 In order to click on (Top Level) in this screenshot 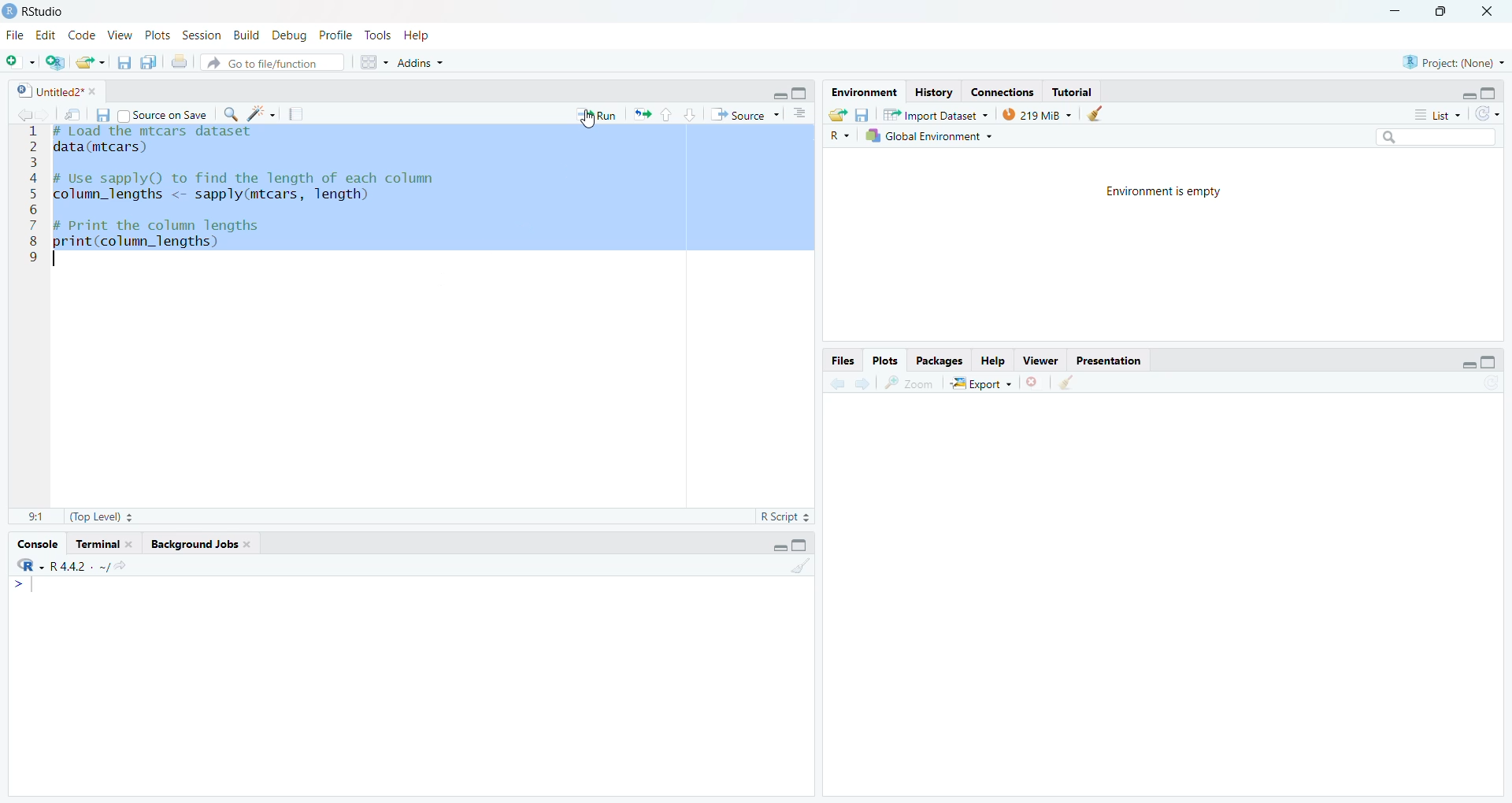, I will do `click(101, 517)`.